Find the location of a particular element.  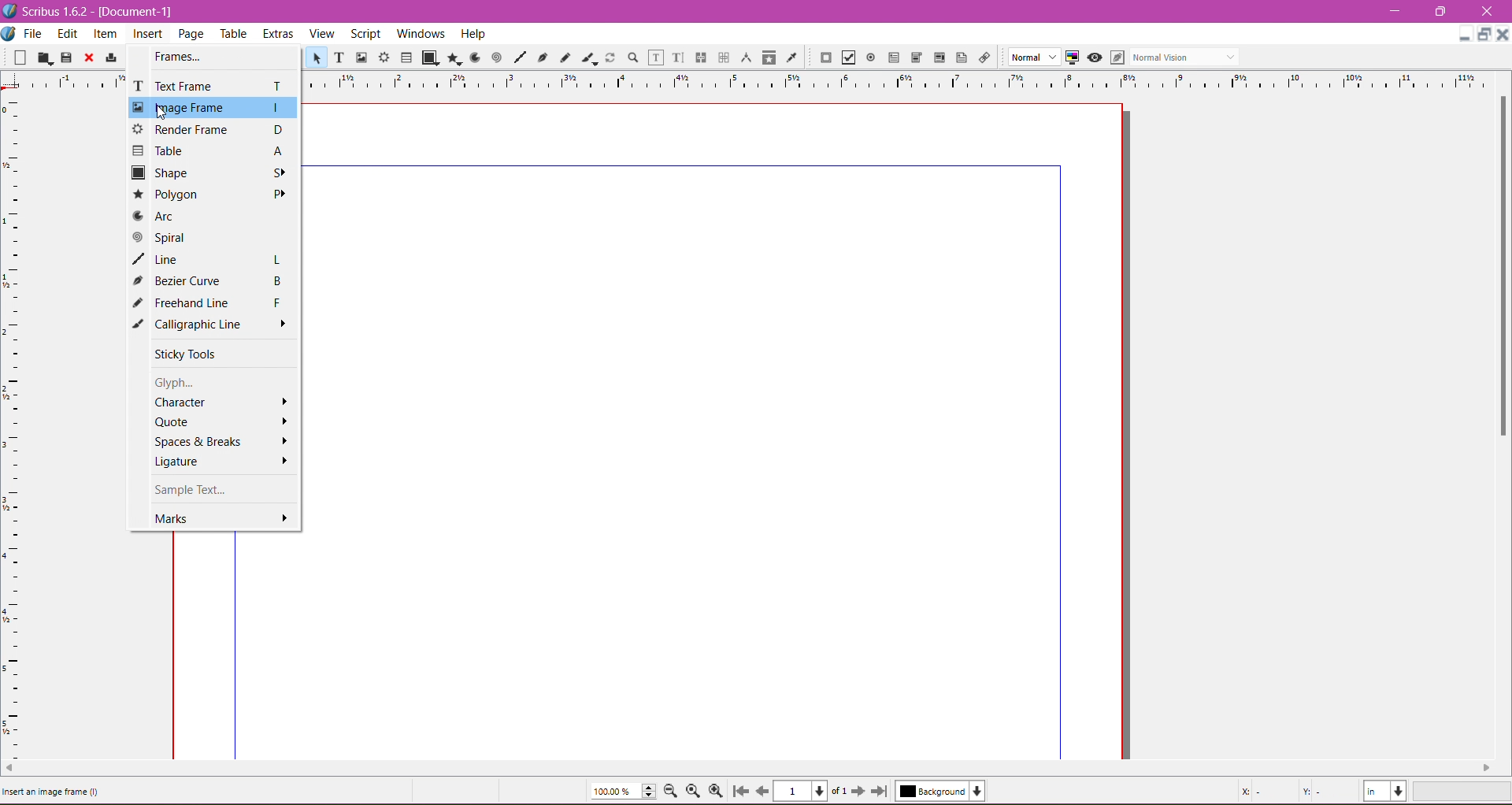

New is located at coordinates (15, 58).